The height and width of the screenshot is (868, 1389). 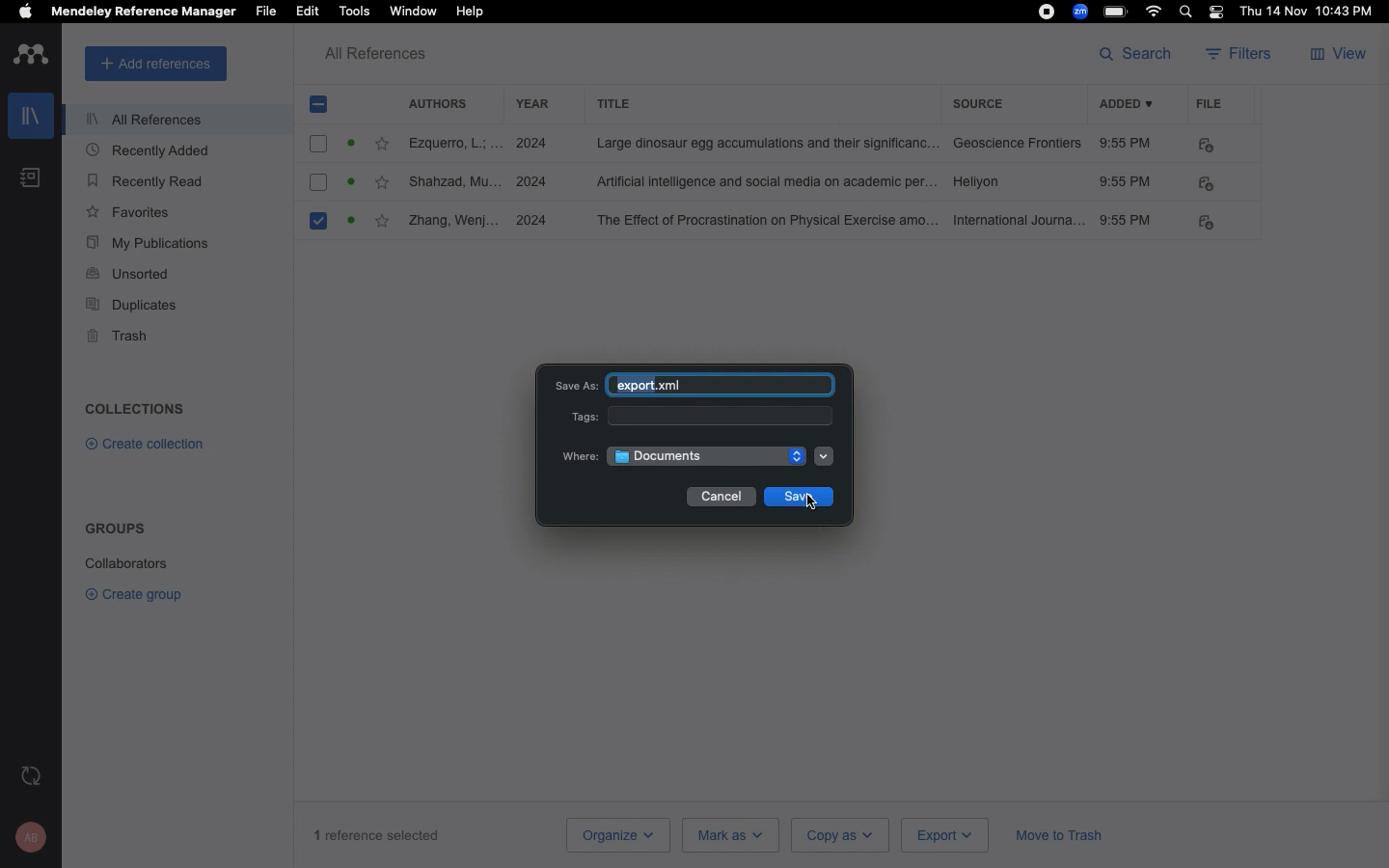 I want to click on large dinasour egg accumolatations and their significance, so click(x=769, y=143).